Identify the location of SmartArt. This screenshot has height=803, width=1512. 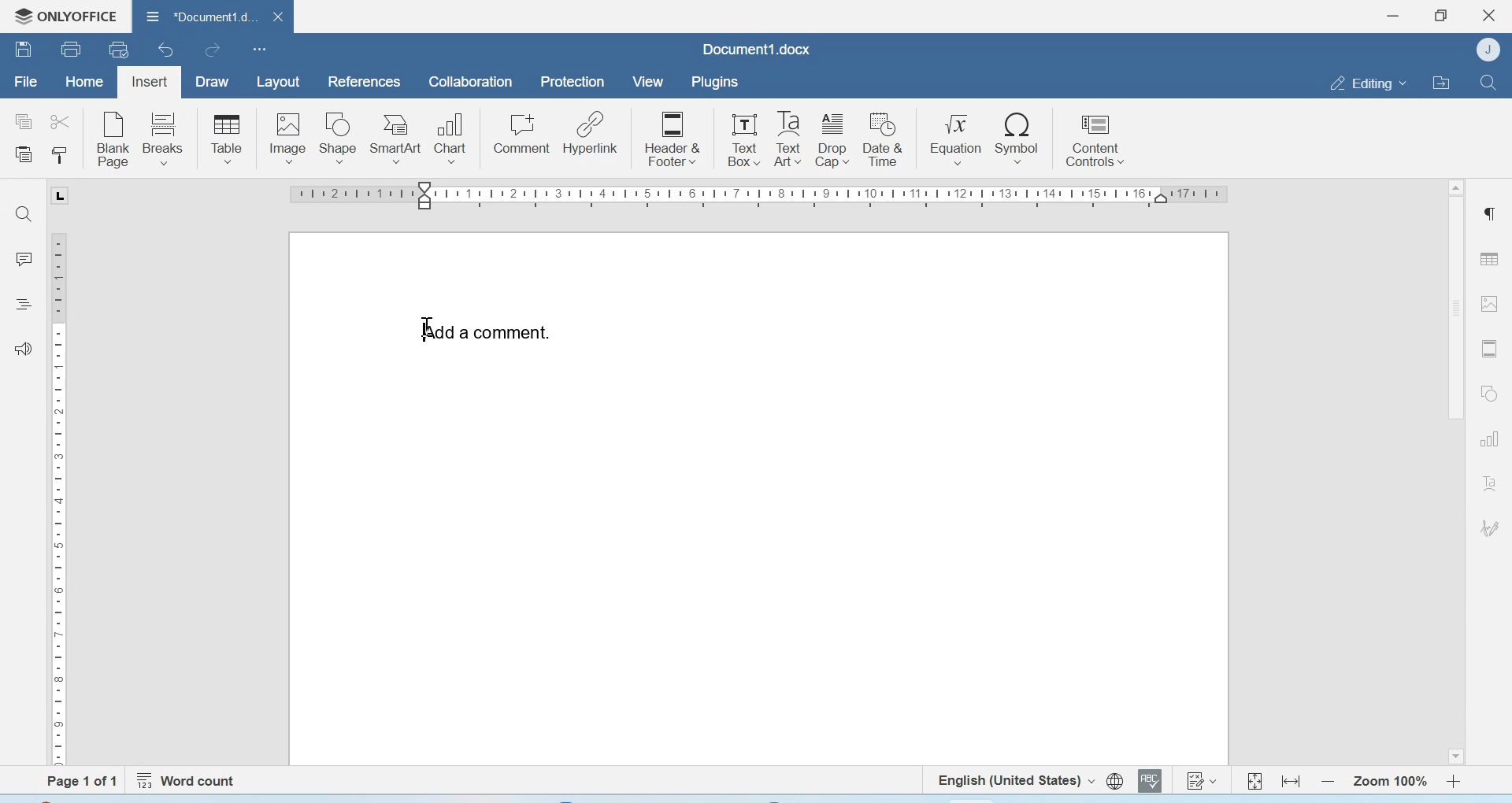
(396, 139).